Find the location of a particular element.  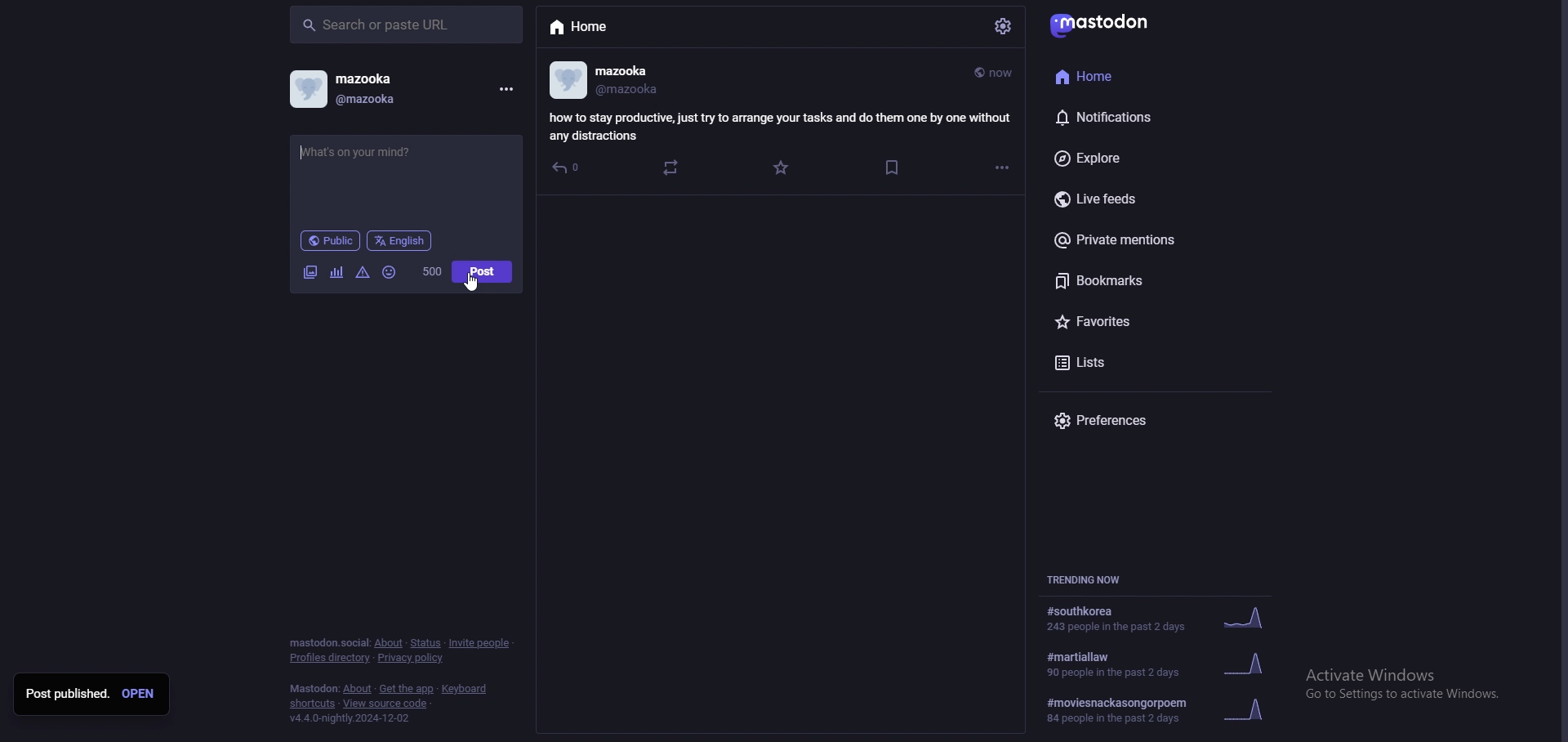

privacy policy is located at coordinates (412, 659).